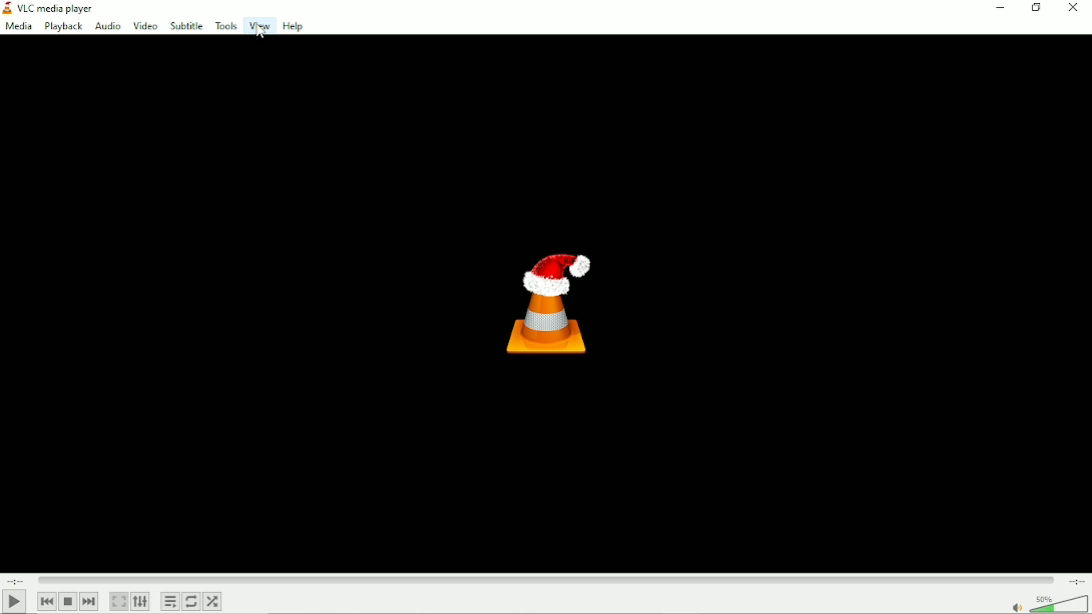  What do you see at coordinates (190, 602) in the screenshot?
I see `Toggle between loop all, loop one and no loop` at bounding box center [190, 602].